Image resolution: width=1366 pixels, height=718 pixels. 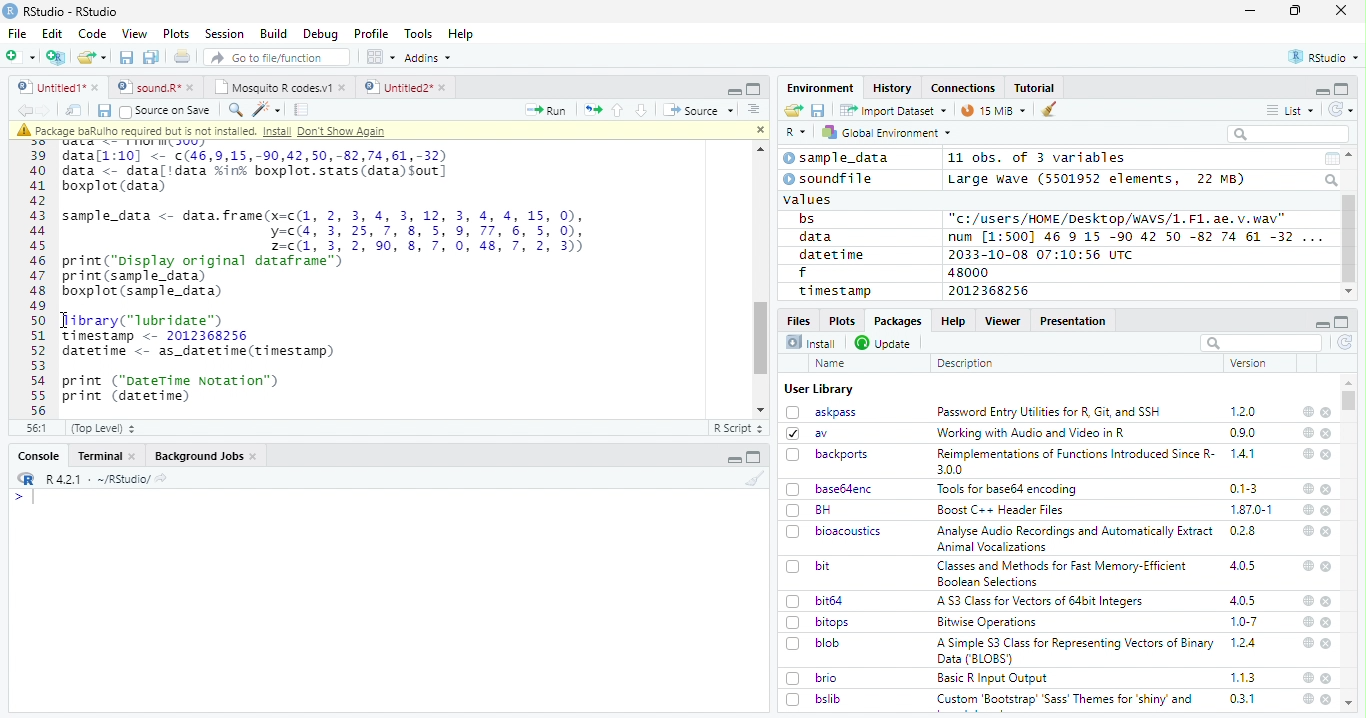 What do you see at coordinates (1038, 159) in the screenshot?
I see `11 obs. of 3 variables` at bounding box center [1038, 159].